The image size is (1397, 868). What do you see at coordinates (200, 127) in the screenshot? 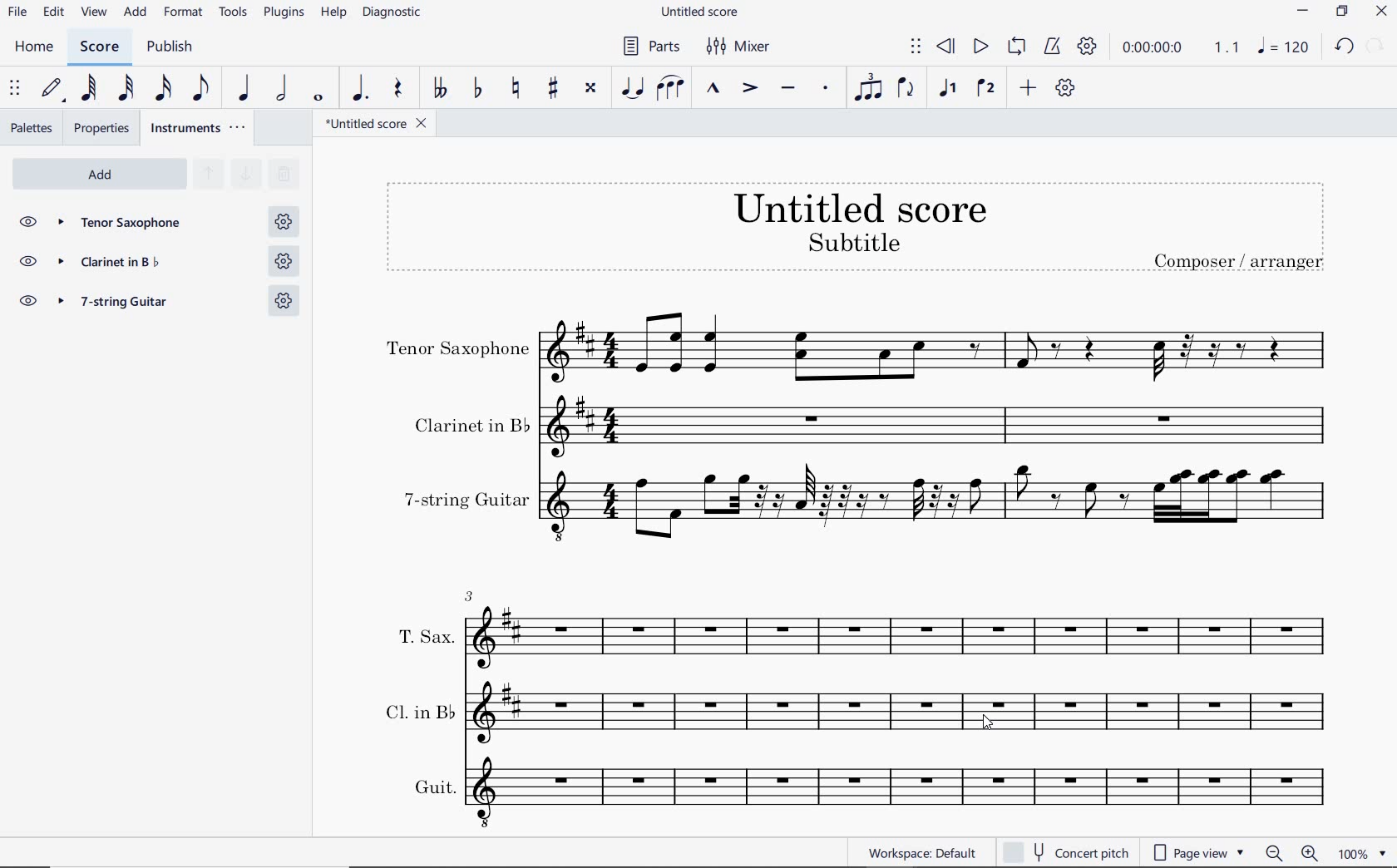
I see `INSTRUMENTS` at bounding box center [200, 127].